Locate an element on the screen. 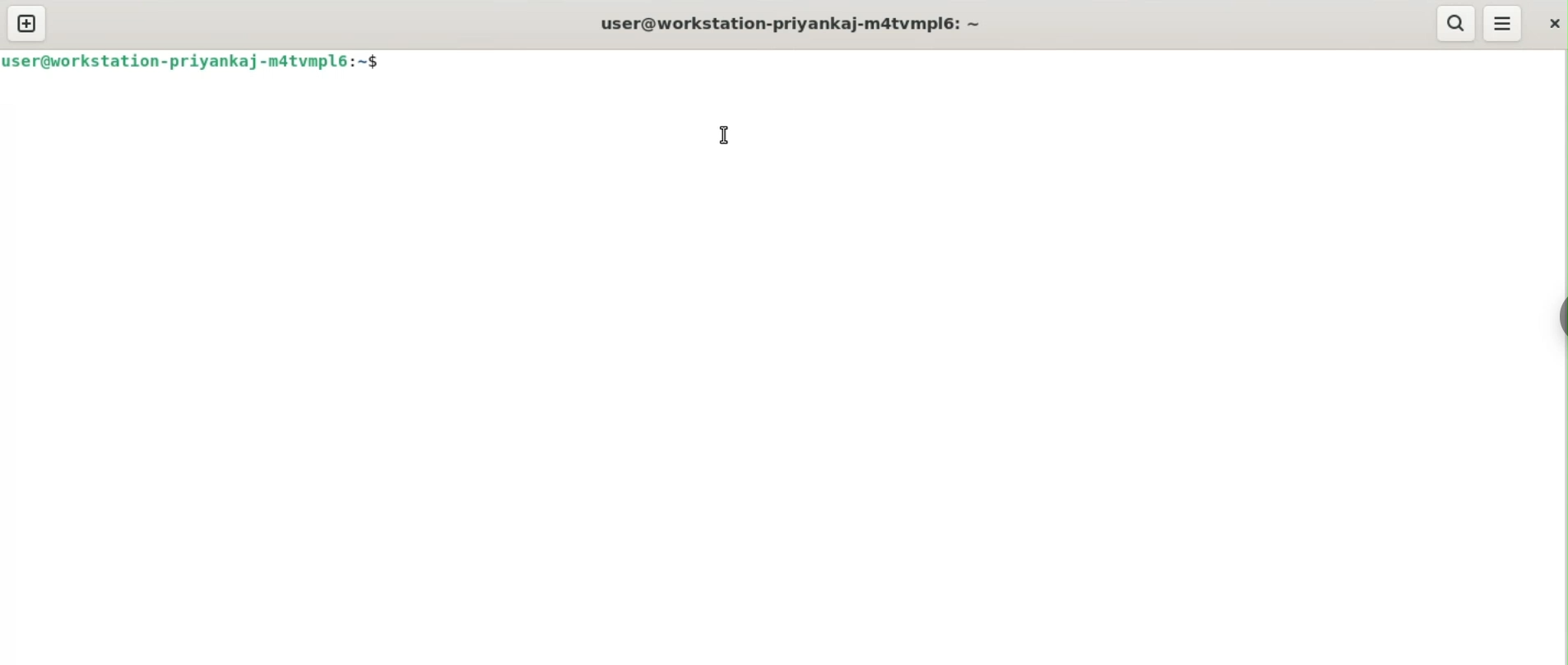 Image resolution: width=1568 pixels, height=665 pixels. menu is located at coordinates (1504, 24).